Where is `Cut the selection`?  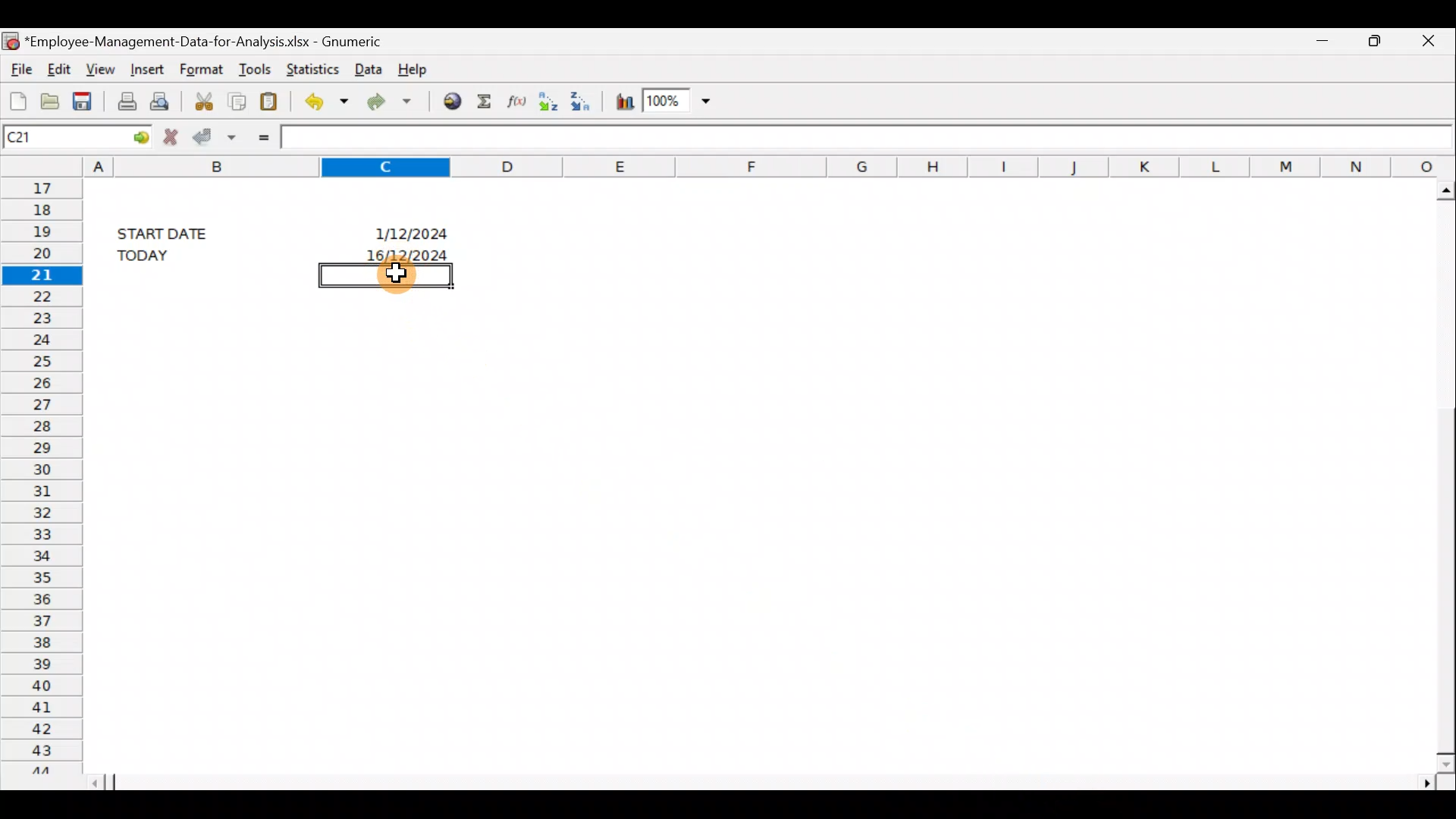 Cut the selection is located at coordinates (204, 99).